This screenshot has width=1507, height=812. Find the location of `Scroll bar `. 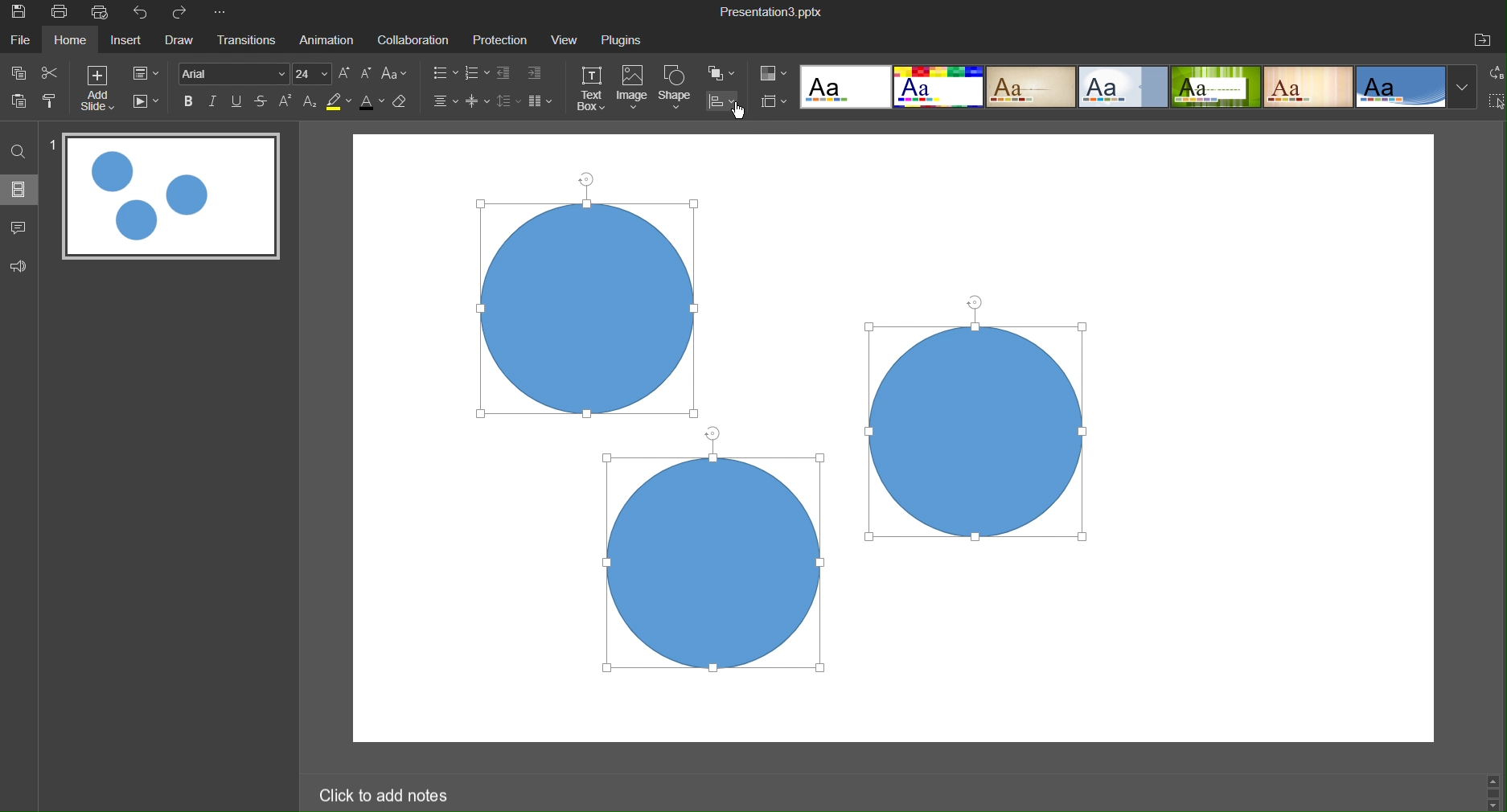

Scroll bar  is located at coordinates (1493, 792).